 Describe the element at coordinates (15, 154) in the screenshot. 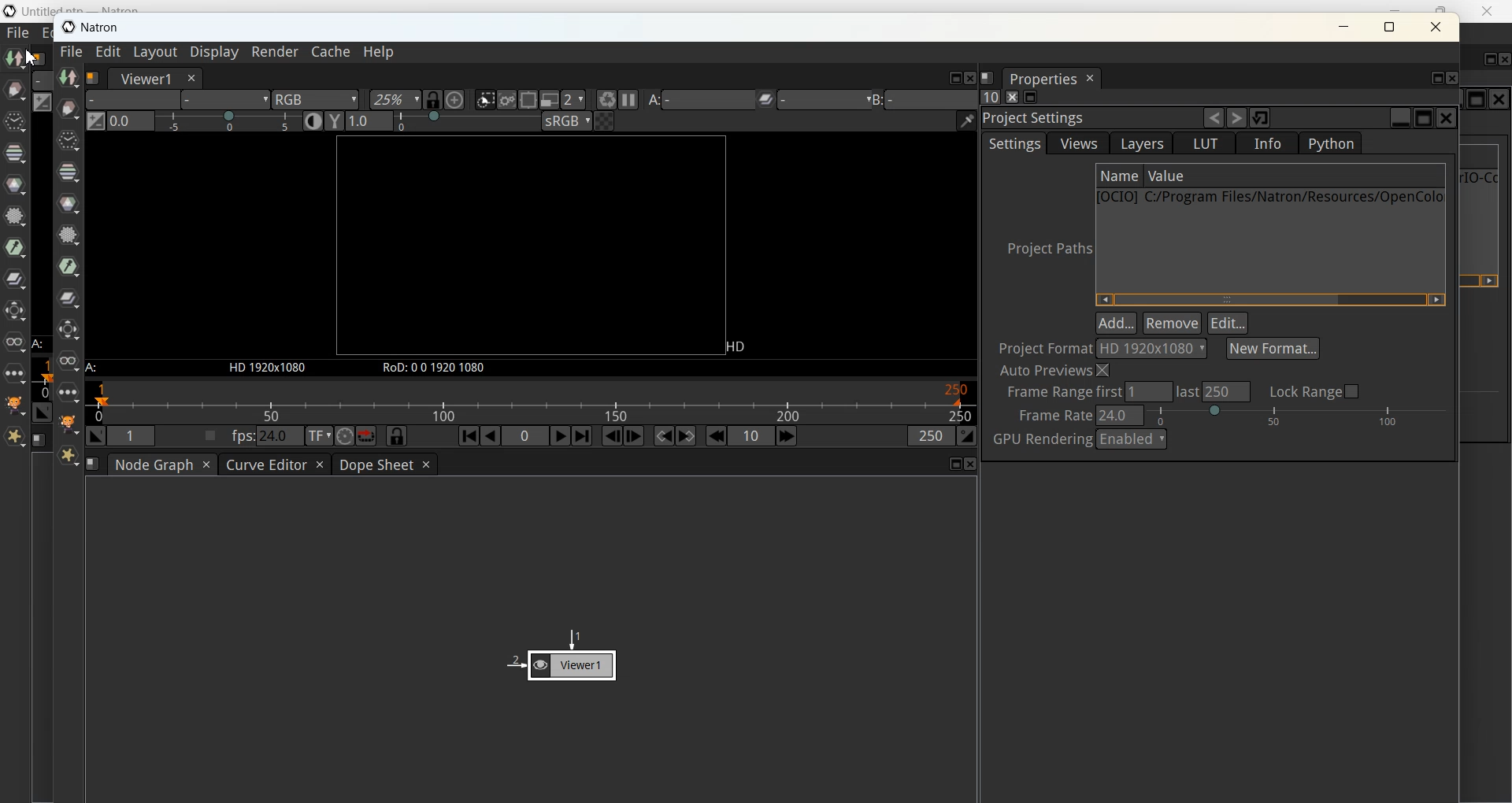

I see `Channel` at that location.